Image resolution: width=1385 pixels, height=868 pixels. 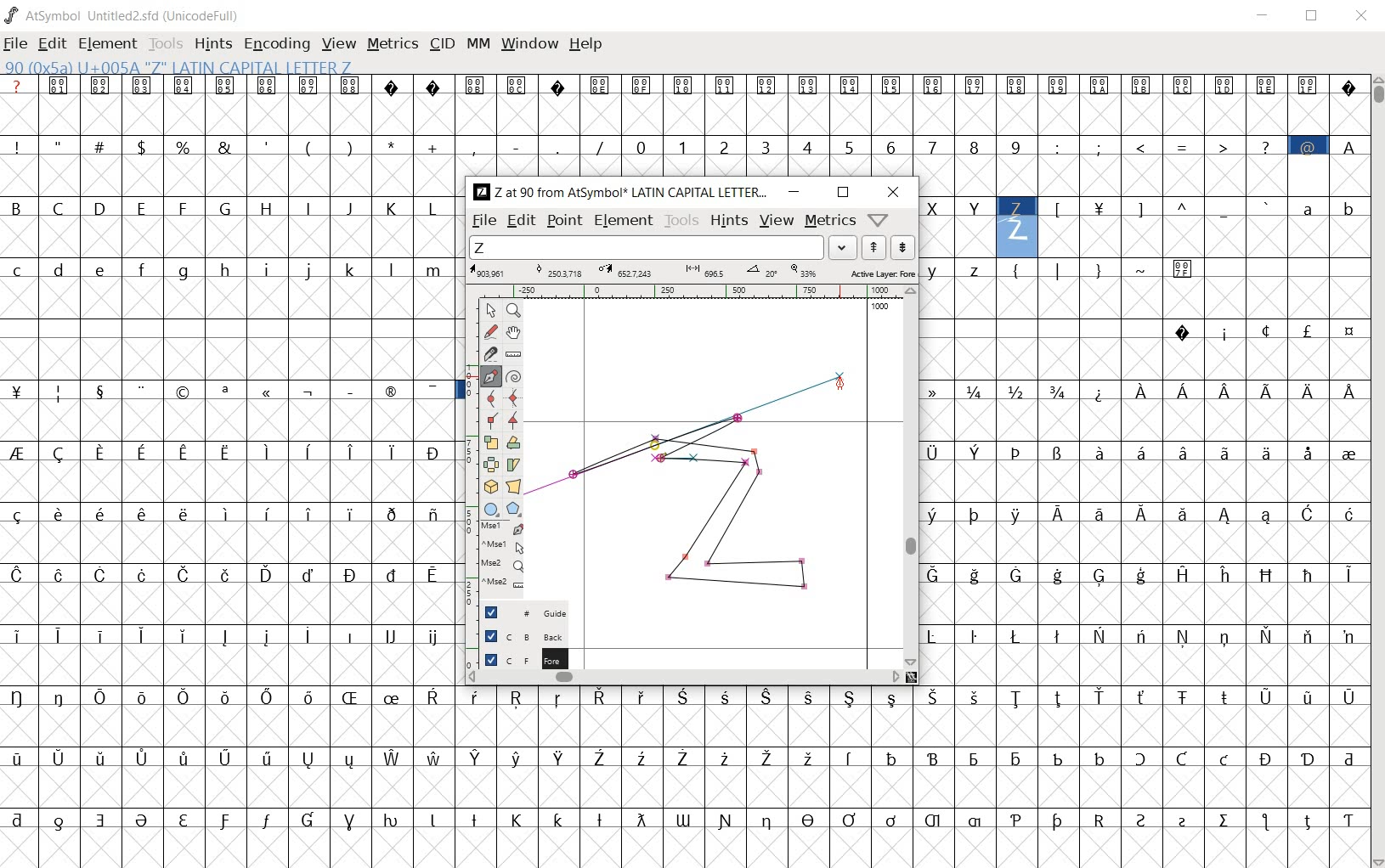 I want to click on ruler, so click(x=704, y=290).